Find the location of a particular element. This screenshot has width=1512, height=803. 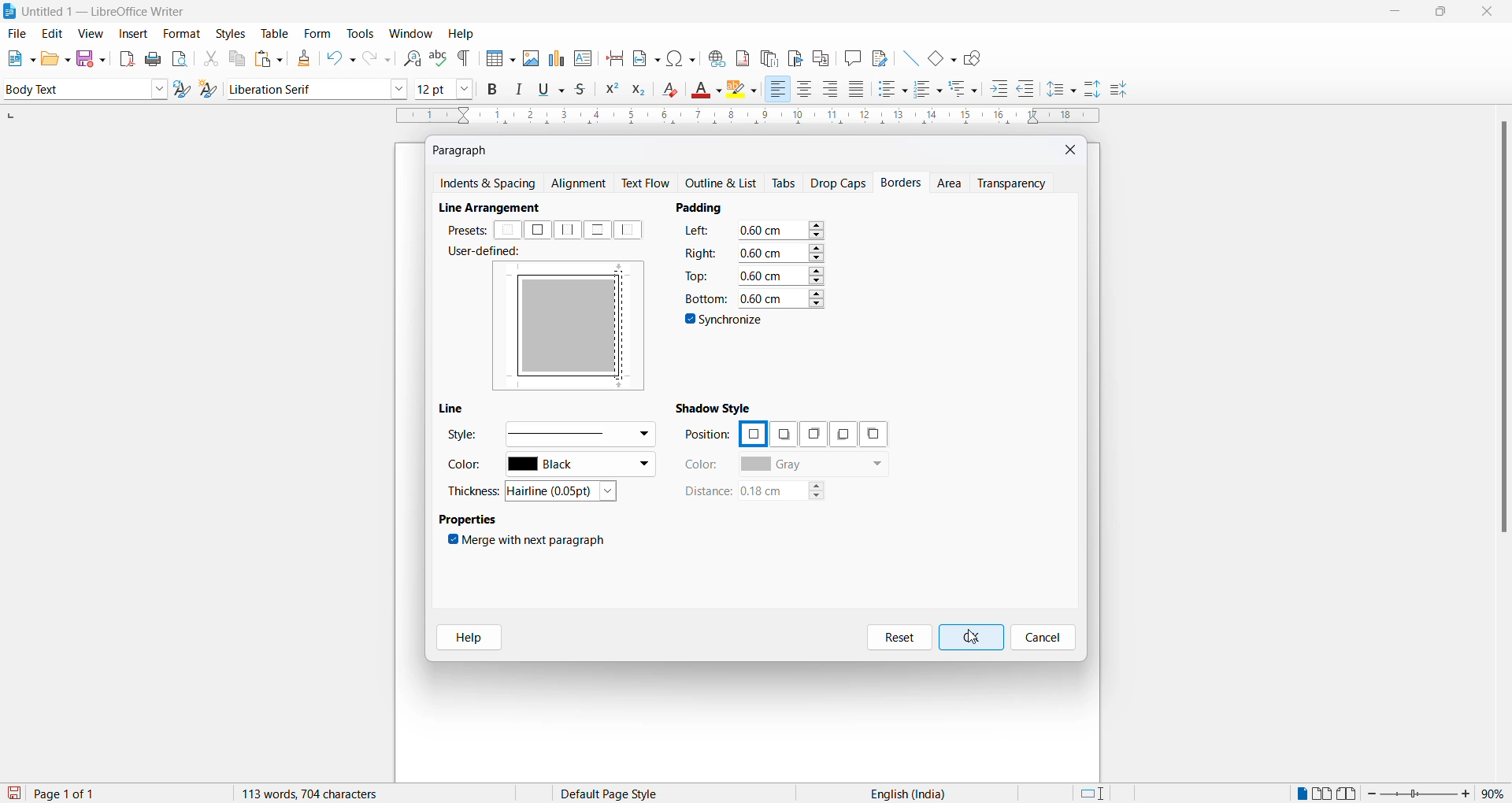

spellings is located at coordinates (438, 57).